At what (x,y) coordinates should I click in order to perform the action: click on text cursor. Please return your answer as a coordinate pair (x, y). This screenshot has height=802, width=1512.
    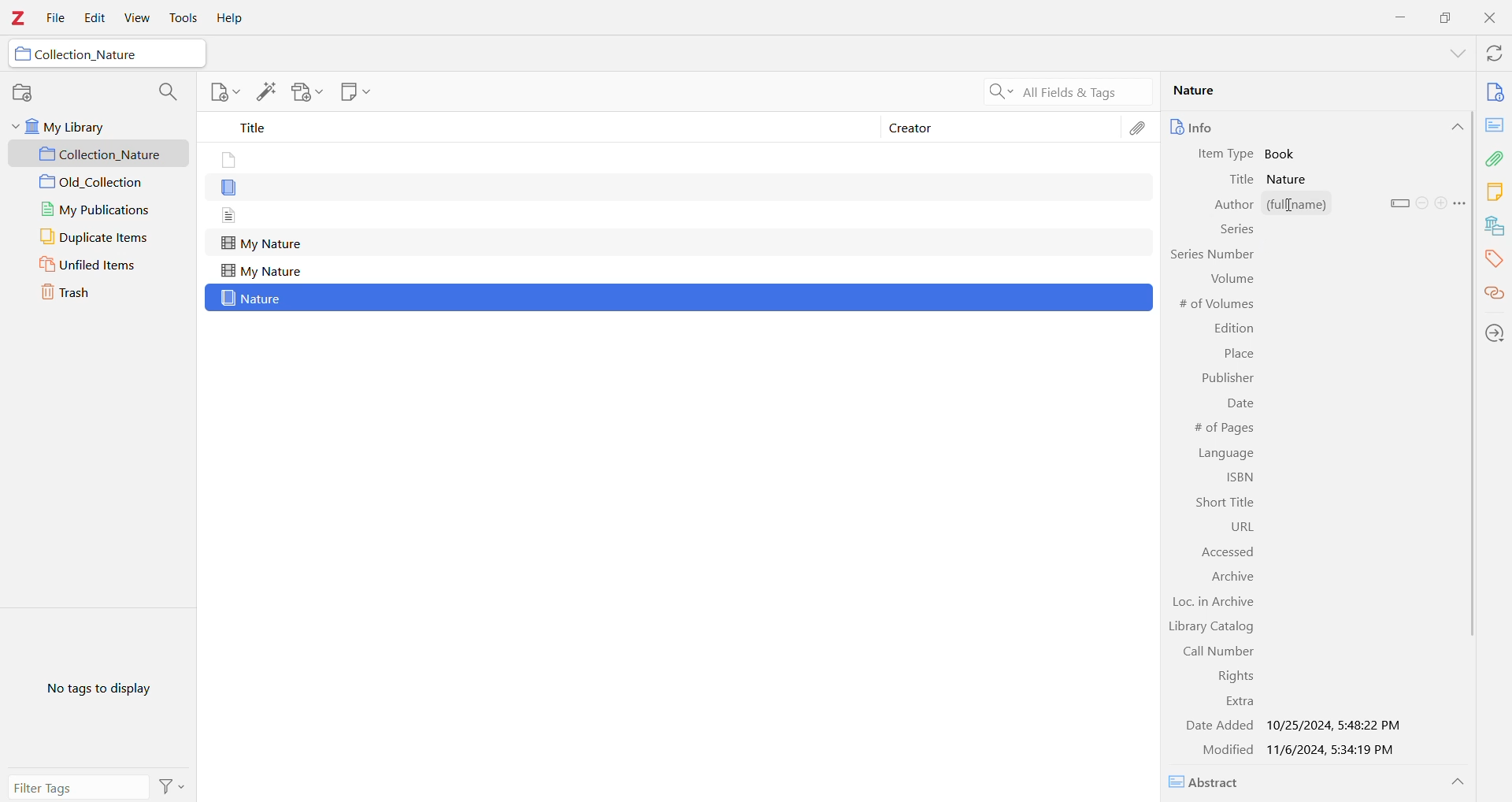
    Looking at the image, I should click on (1292, 206).